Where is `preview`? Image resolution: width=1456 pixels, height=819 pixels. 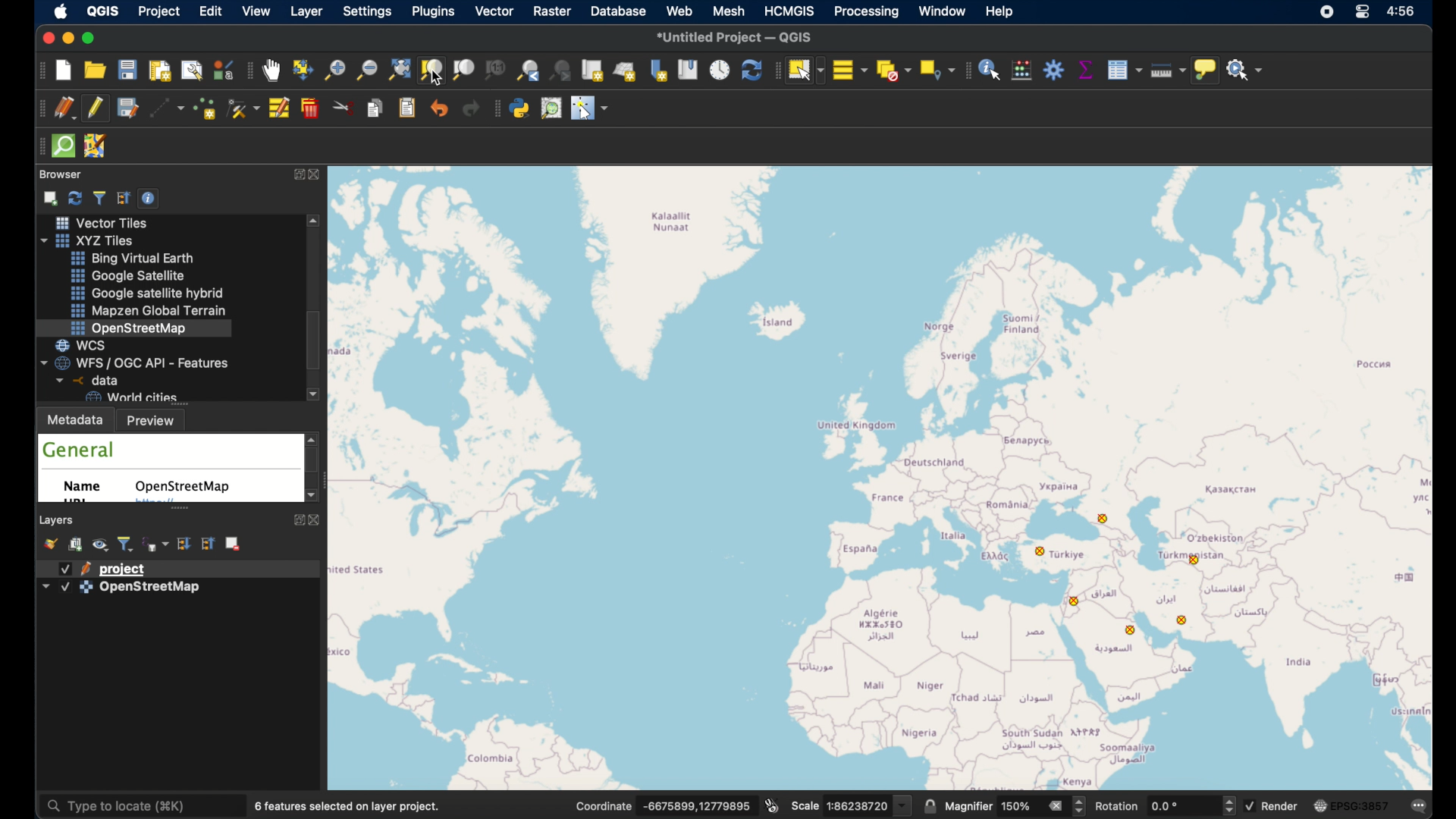 preview is located at coordinates (155, 420).